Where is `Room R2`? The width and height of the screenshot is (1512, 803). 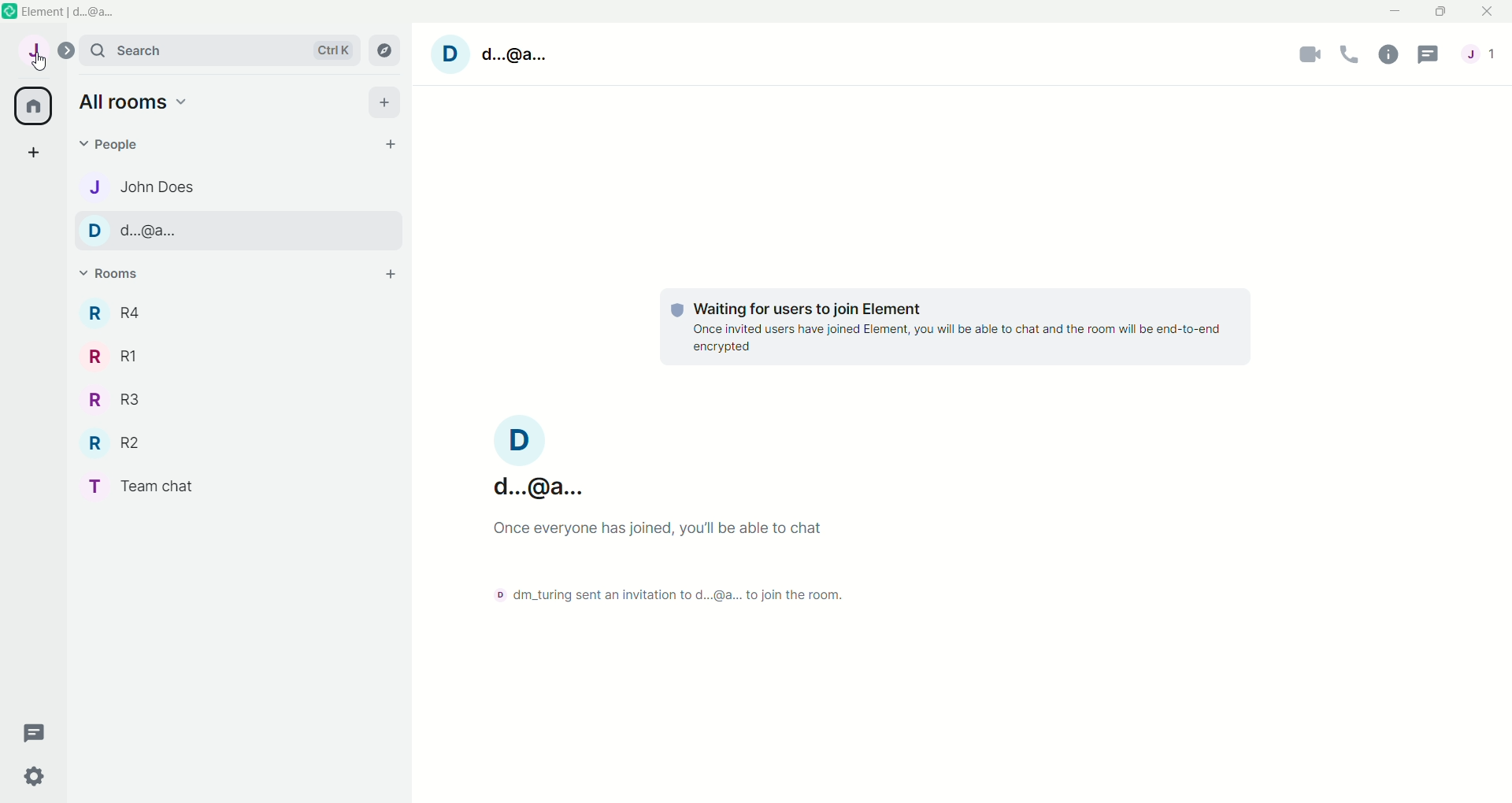
Room R2 is located at coordinates (111, 442).